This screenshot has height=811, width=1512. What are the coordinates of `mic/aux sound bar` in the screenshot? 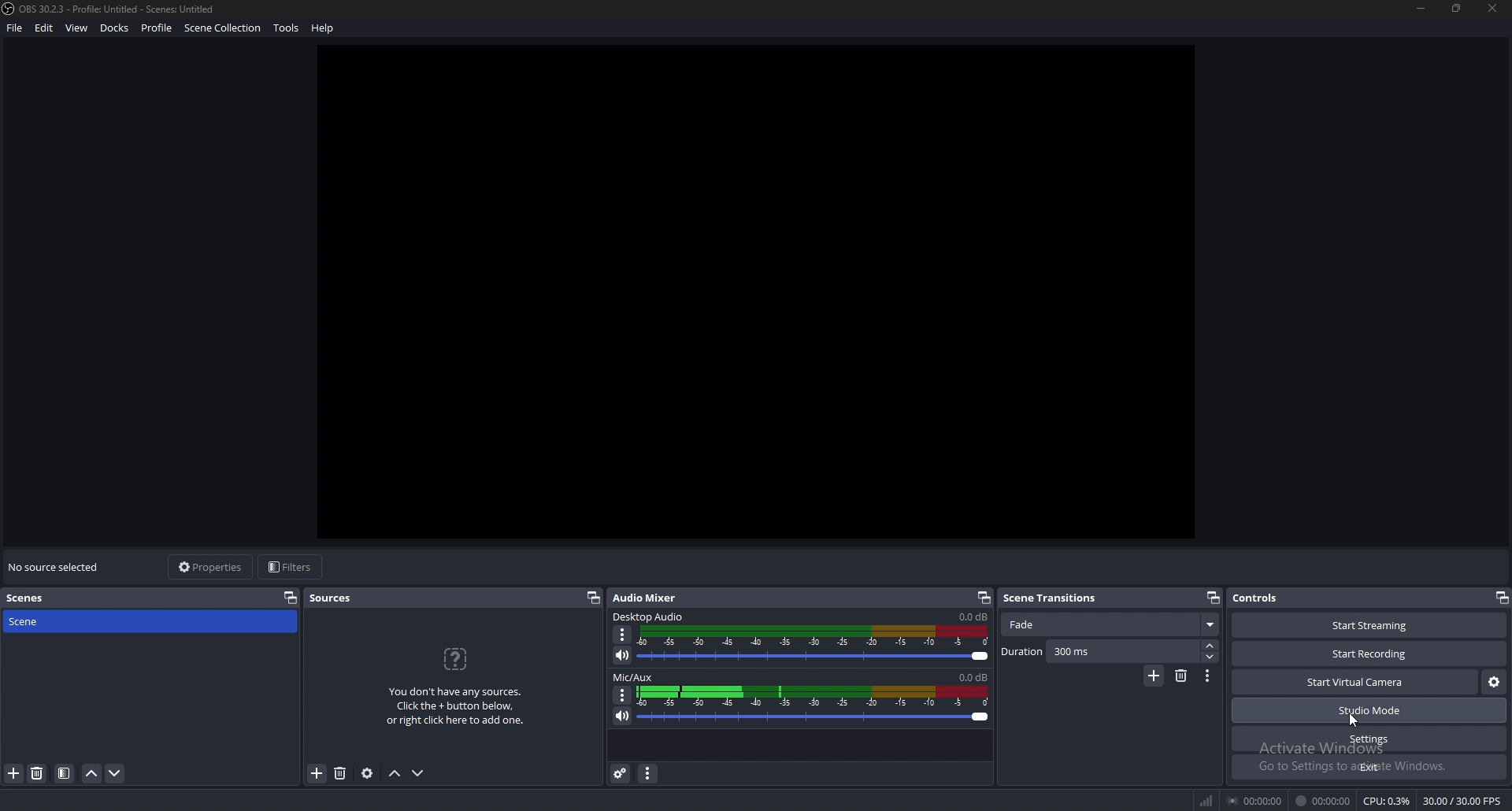 It's located at (814, 706).